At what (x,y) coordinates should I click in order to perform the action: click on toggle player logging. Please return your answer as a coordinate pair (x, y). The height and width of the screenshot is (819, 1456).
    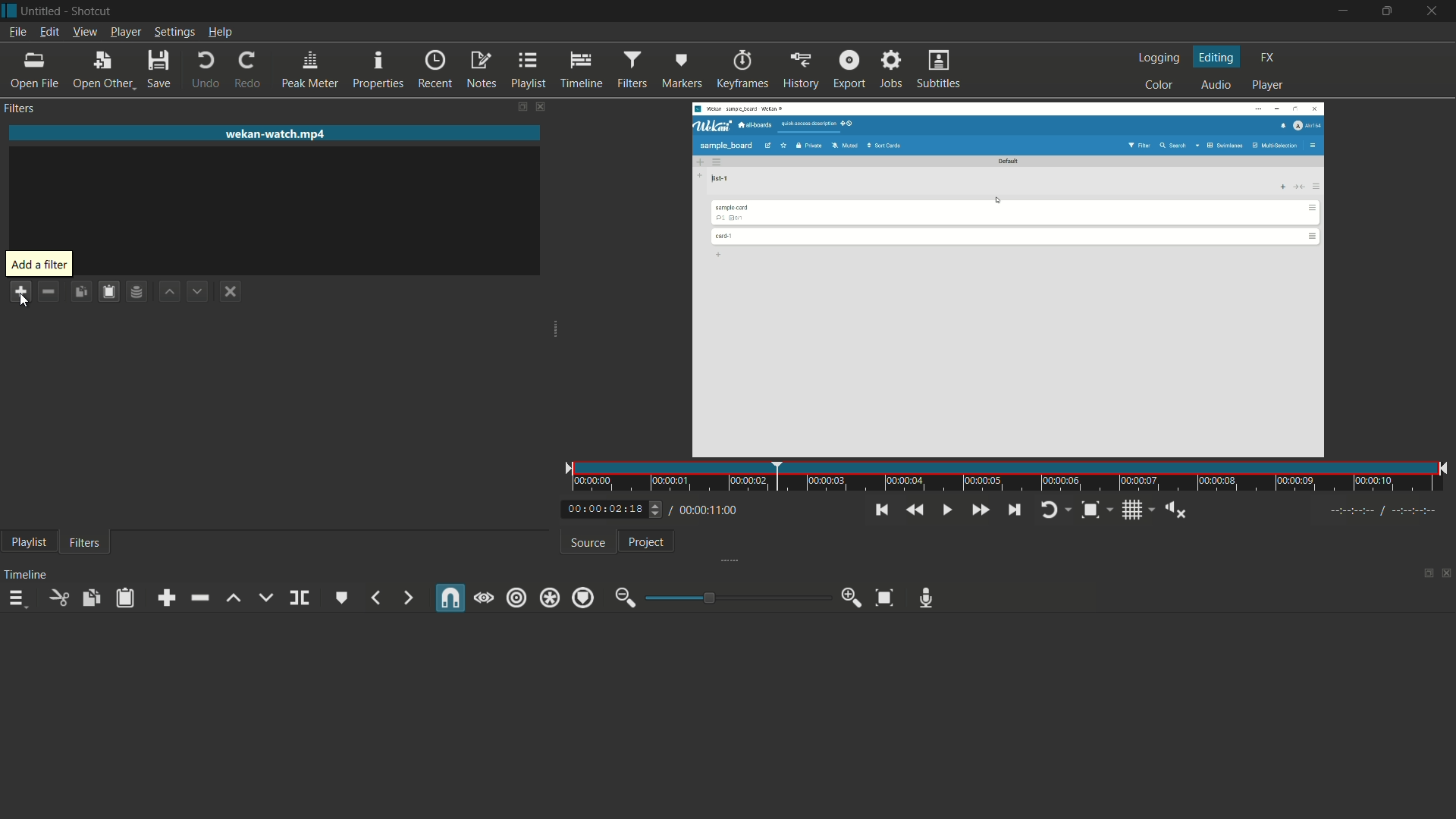
    Looking at the image, I should click on (1052, 510).